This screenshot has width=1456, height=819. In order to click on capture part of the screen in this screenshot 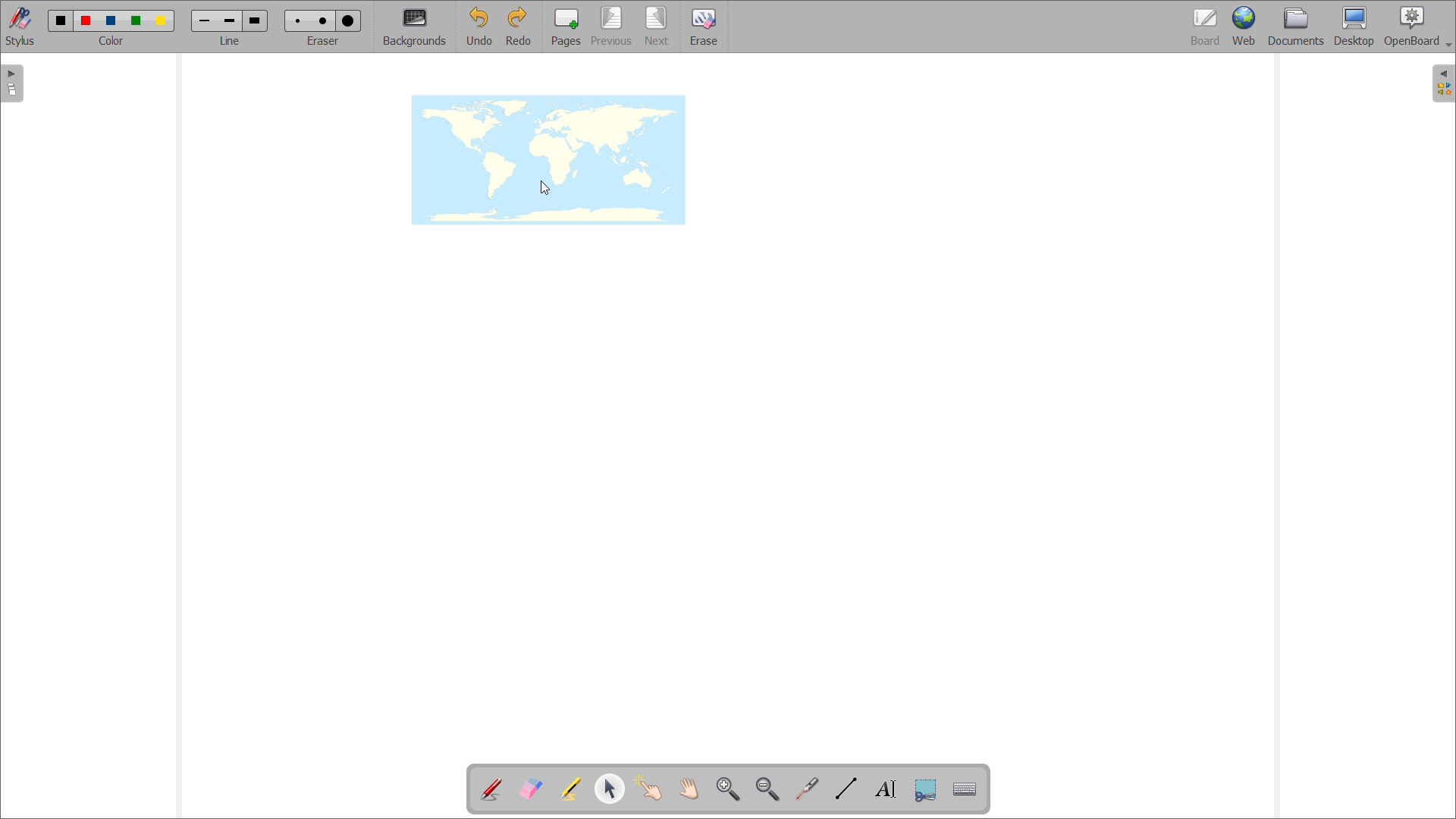, I will do `click(927, 789)`.